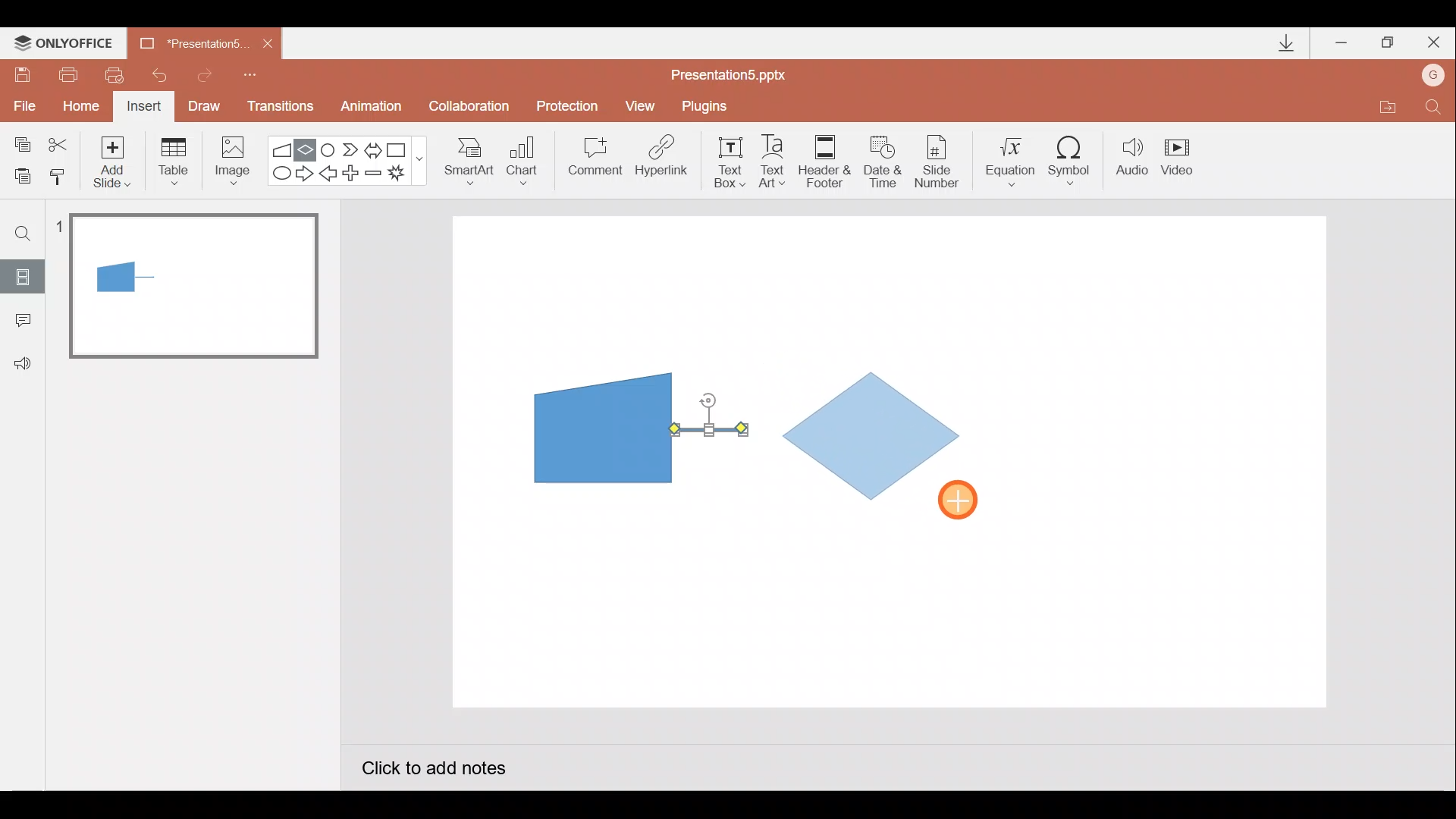 The width and height of the screenshot is (1456, 819). Describe the element at coordinates (162, 75) in the screenshot. I see `Undo` at that location.